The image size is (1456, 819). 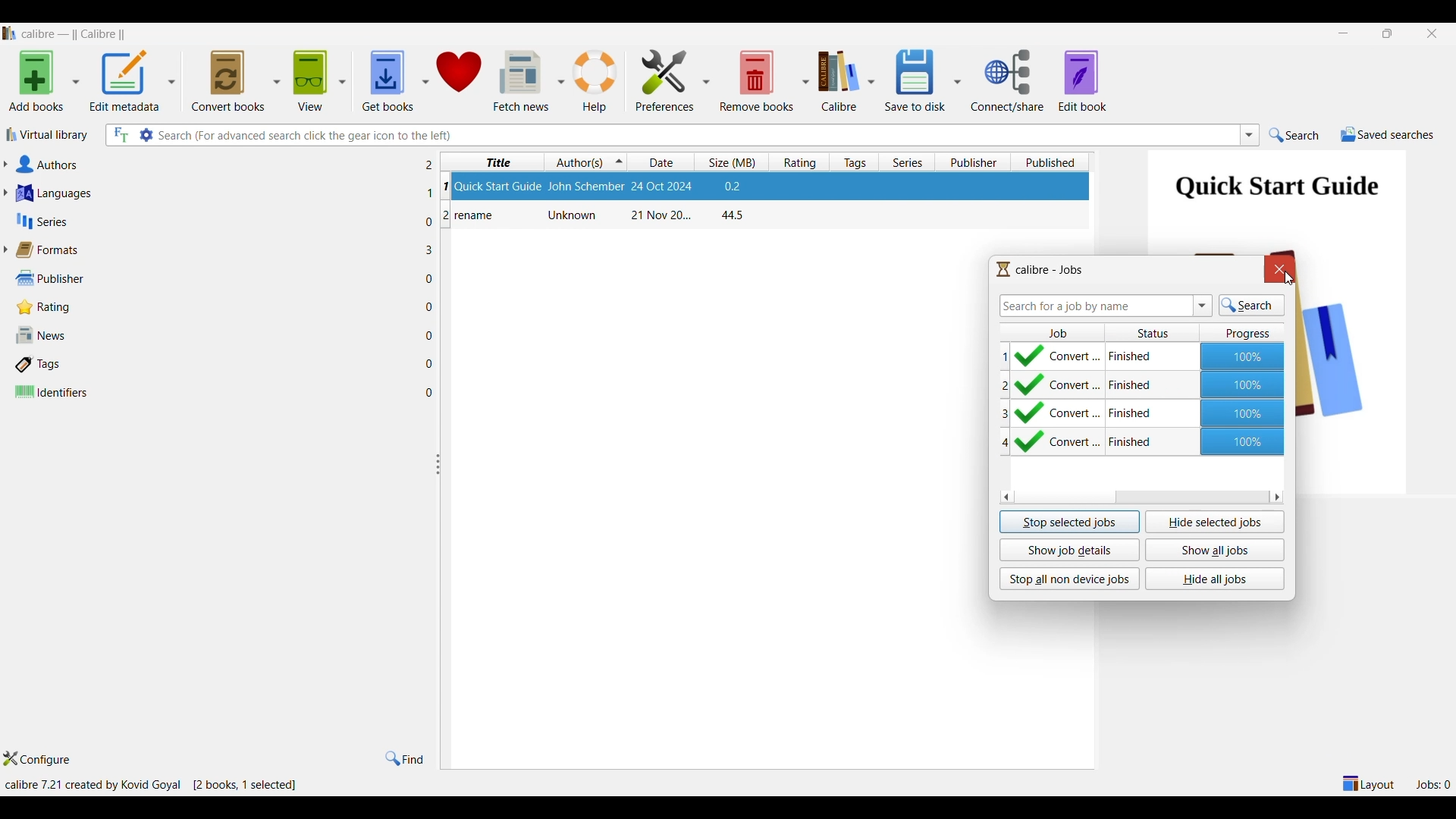 I want to click on Search all files, so click(x=121, y=135).